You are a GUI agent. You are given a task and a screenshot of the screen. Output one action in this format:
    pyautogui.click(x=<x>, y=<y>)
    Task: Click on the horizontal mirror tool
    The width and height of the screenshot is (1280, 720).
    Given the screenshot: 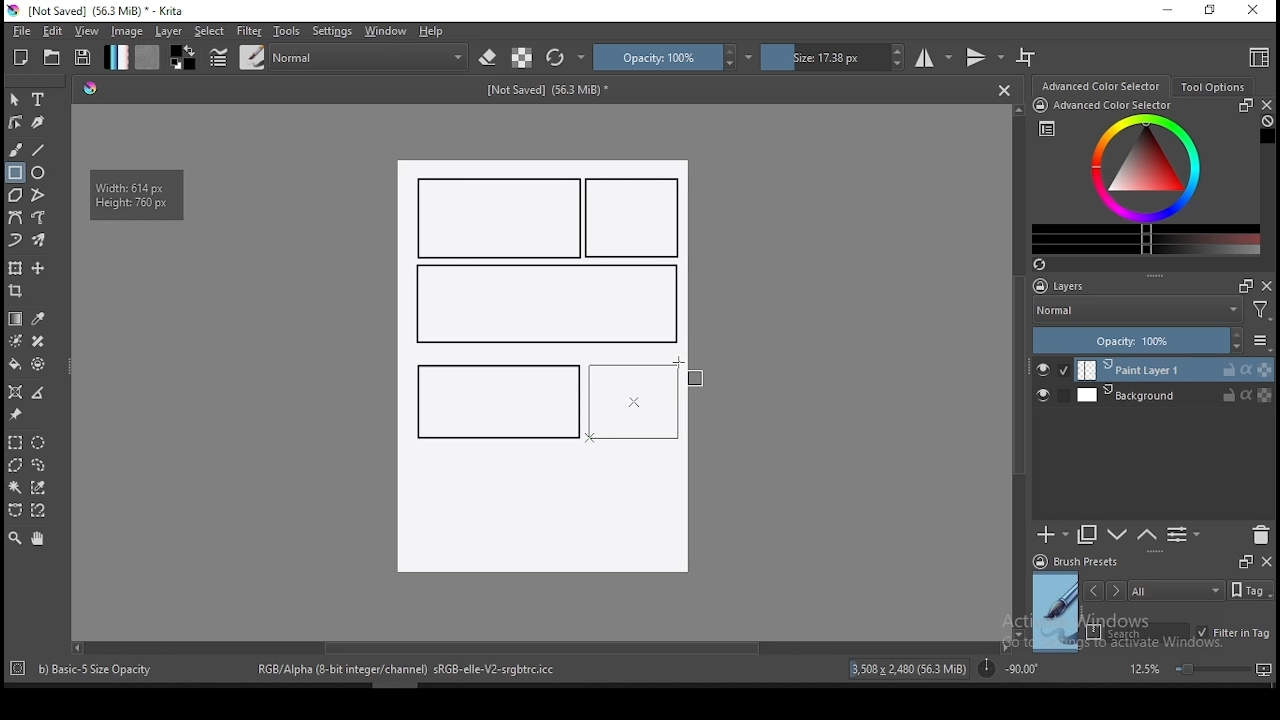 What is the action you would take?
    pyautogui.click(x=934, y=57)
    